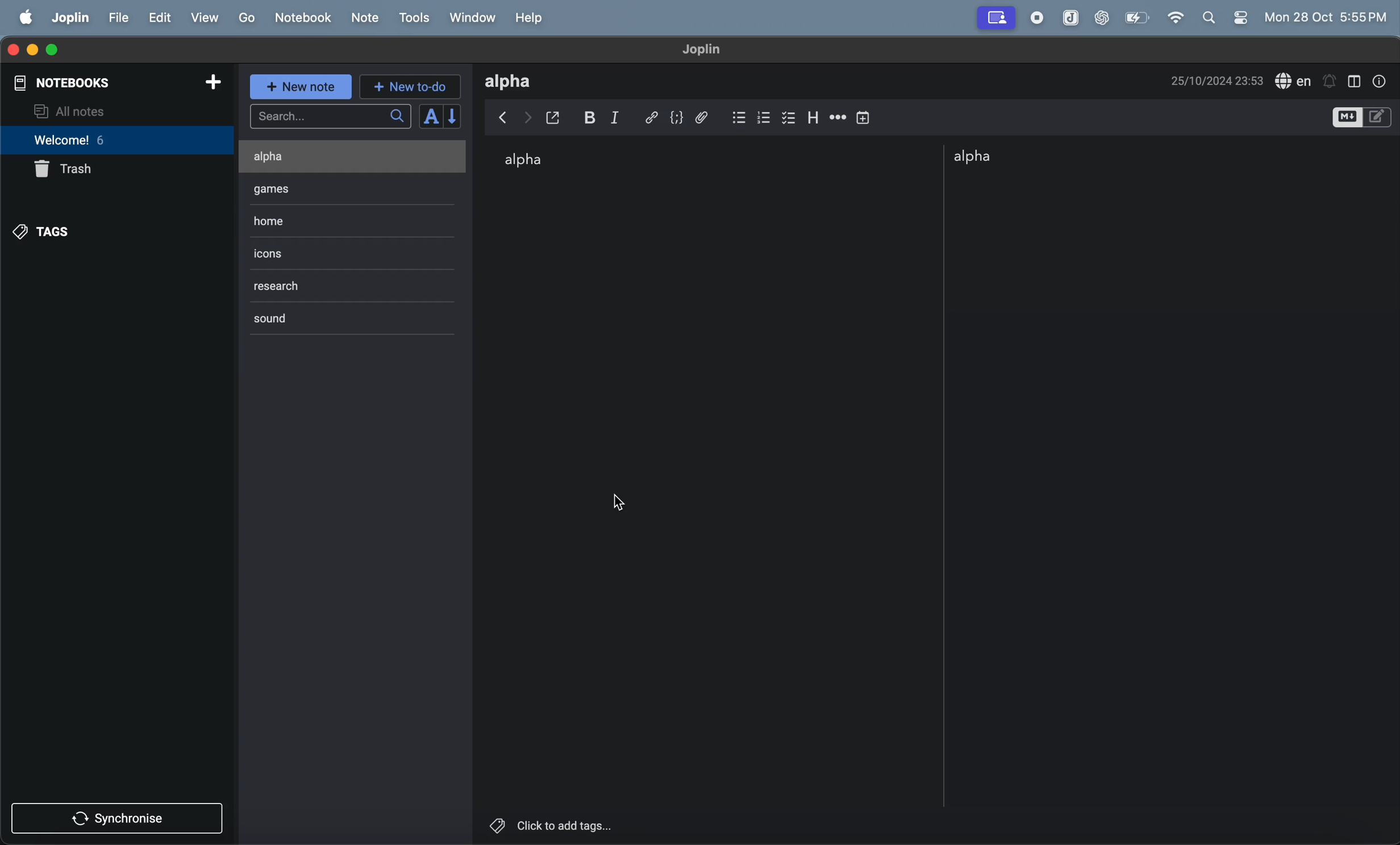  Describe the element at coordinates (440, 116) in the screenshot. I see `sort order title` at that location.